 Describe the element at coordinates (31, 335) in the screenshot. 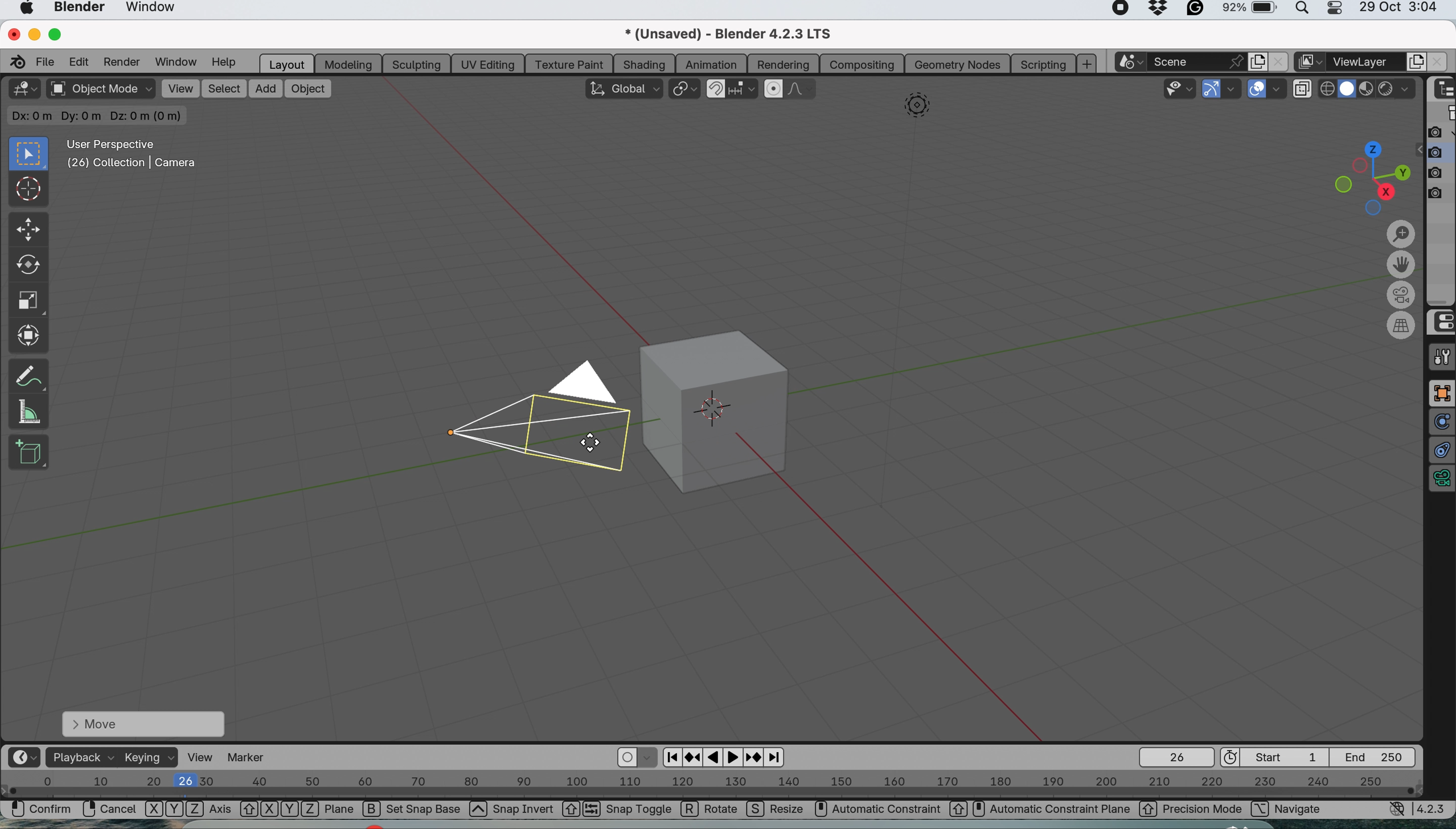

I see `transform` at that location.